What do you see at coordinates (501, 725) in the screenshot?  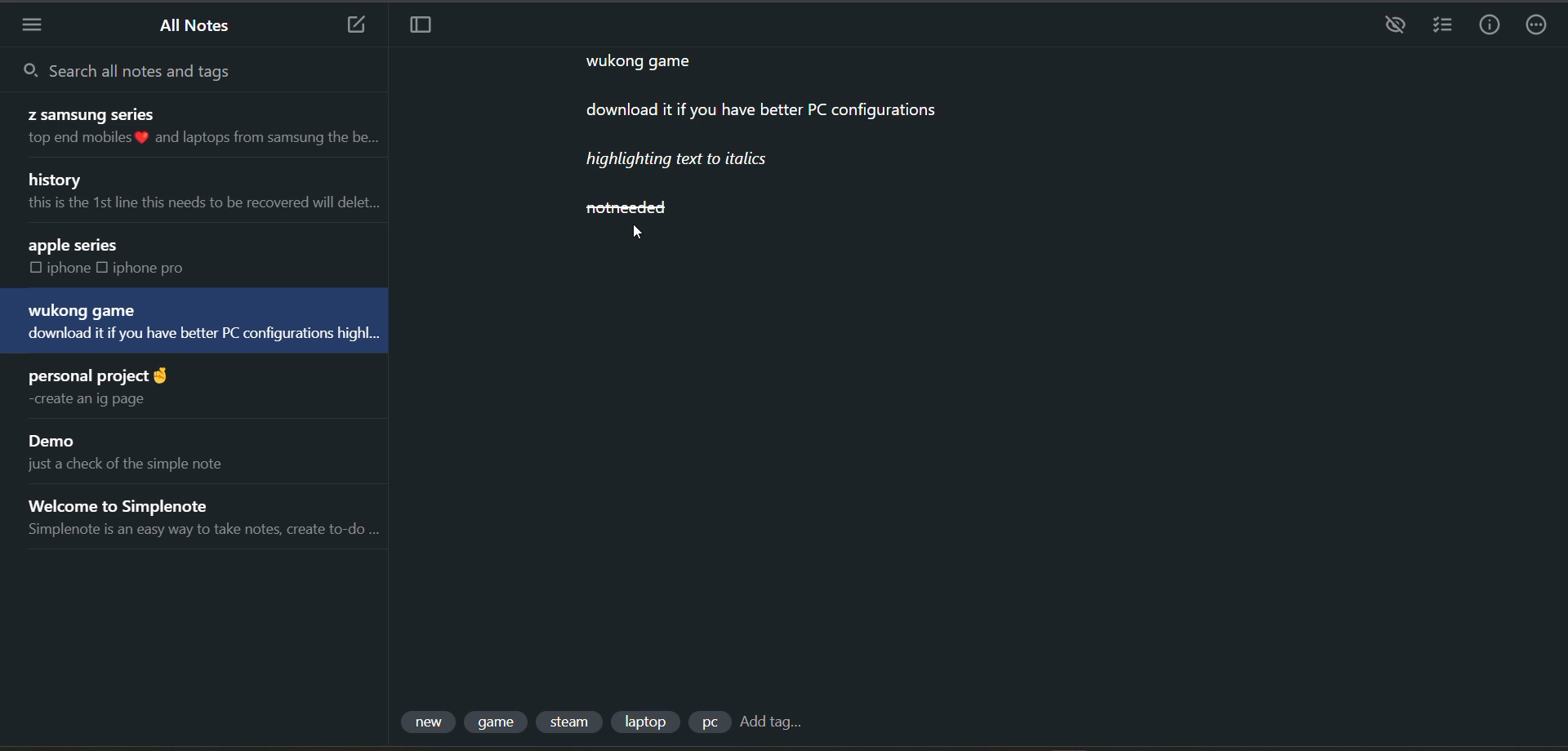 I see `tag 2` at bounding box center [501, 725].